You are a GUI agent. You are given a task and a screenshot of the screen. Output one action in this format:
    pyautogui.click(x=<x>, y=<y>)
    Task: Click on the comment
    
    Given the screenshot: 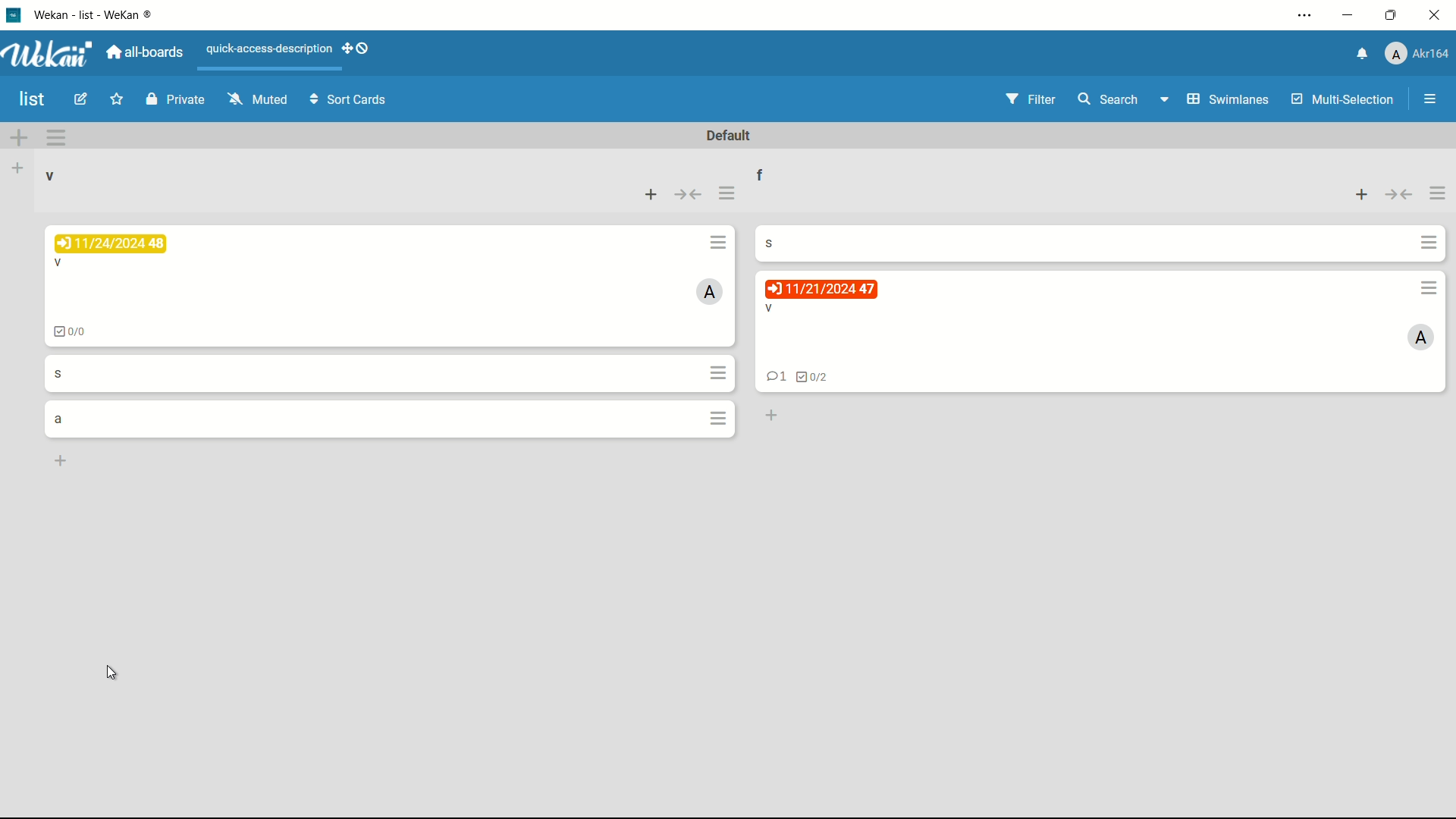 What is the action you would take?
    pyautogui.click(x=773, y=378)
    